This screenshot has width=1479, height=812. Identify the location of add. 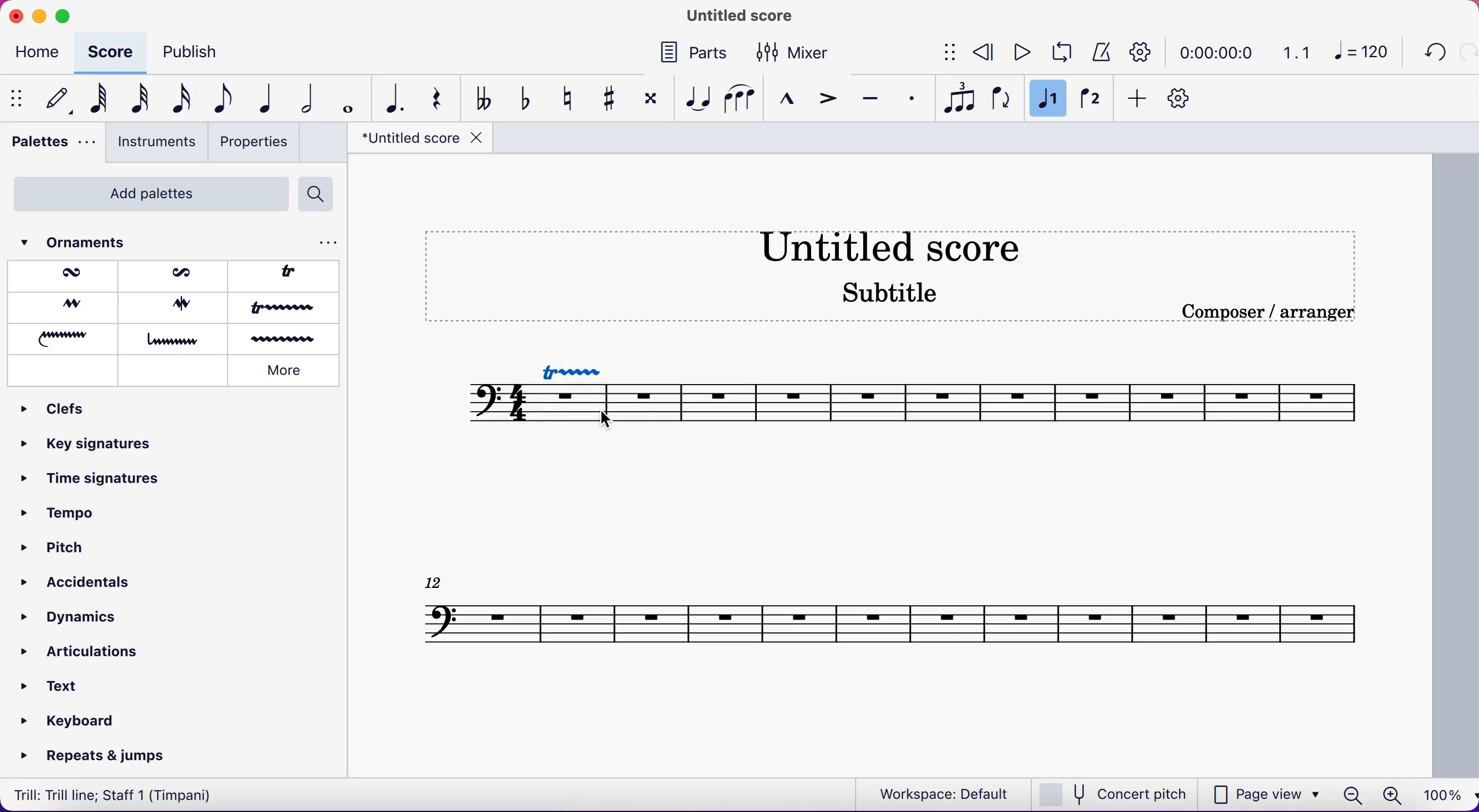
(1138, 100).